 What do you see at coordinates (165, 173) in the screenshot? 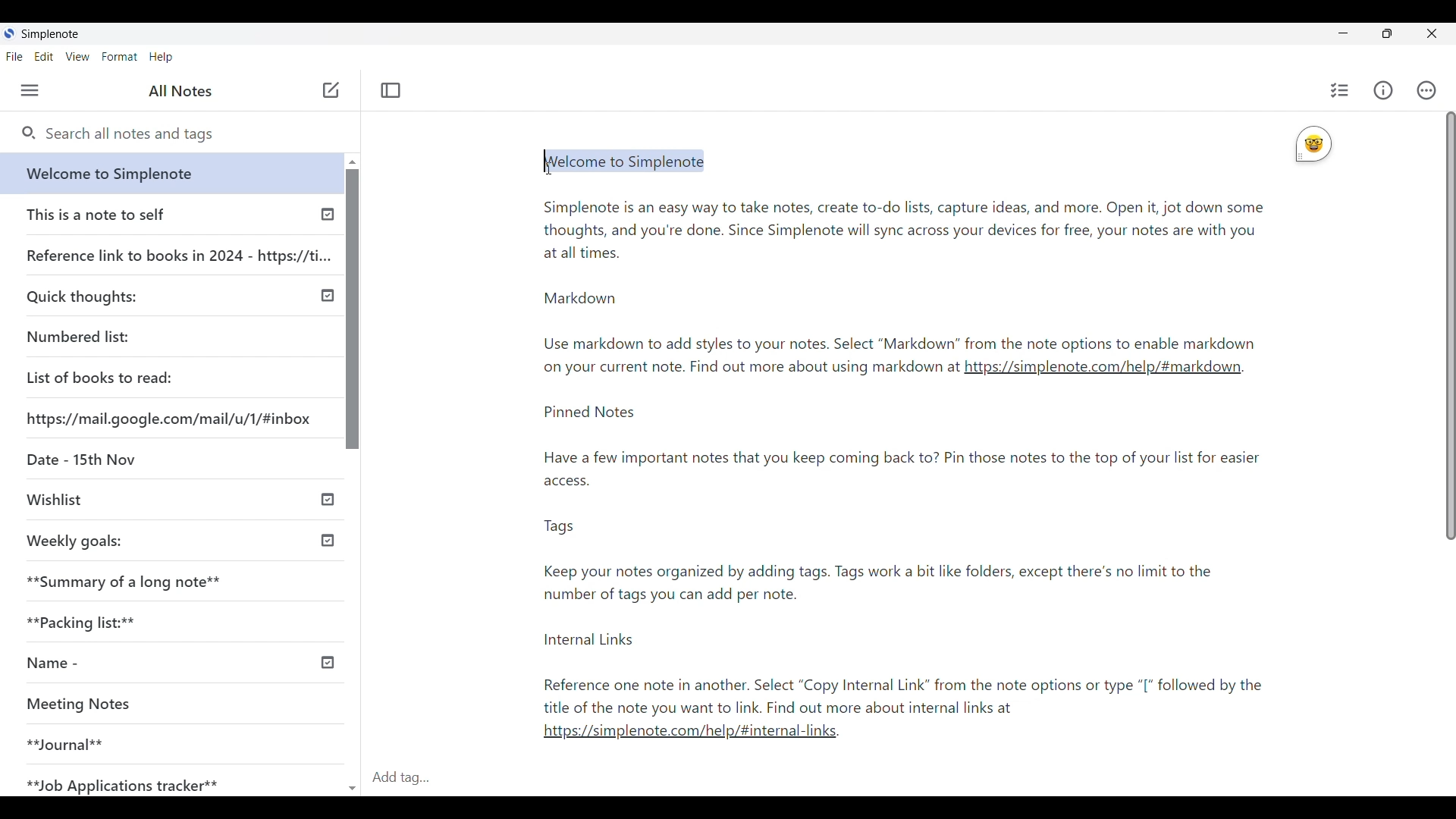
I see `Current note highlighted` at bounding box center [165, 173].